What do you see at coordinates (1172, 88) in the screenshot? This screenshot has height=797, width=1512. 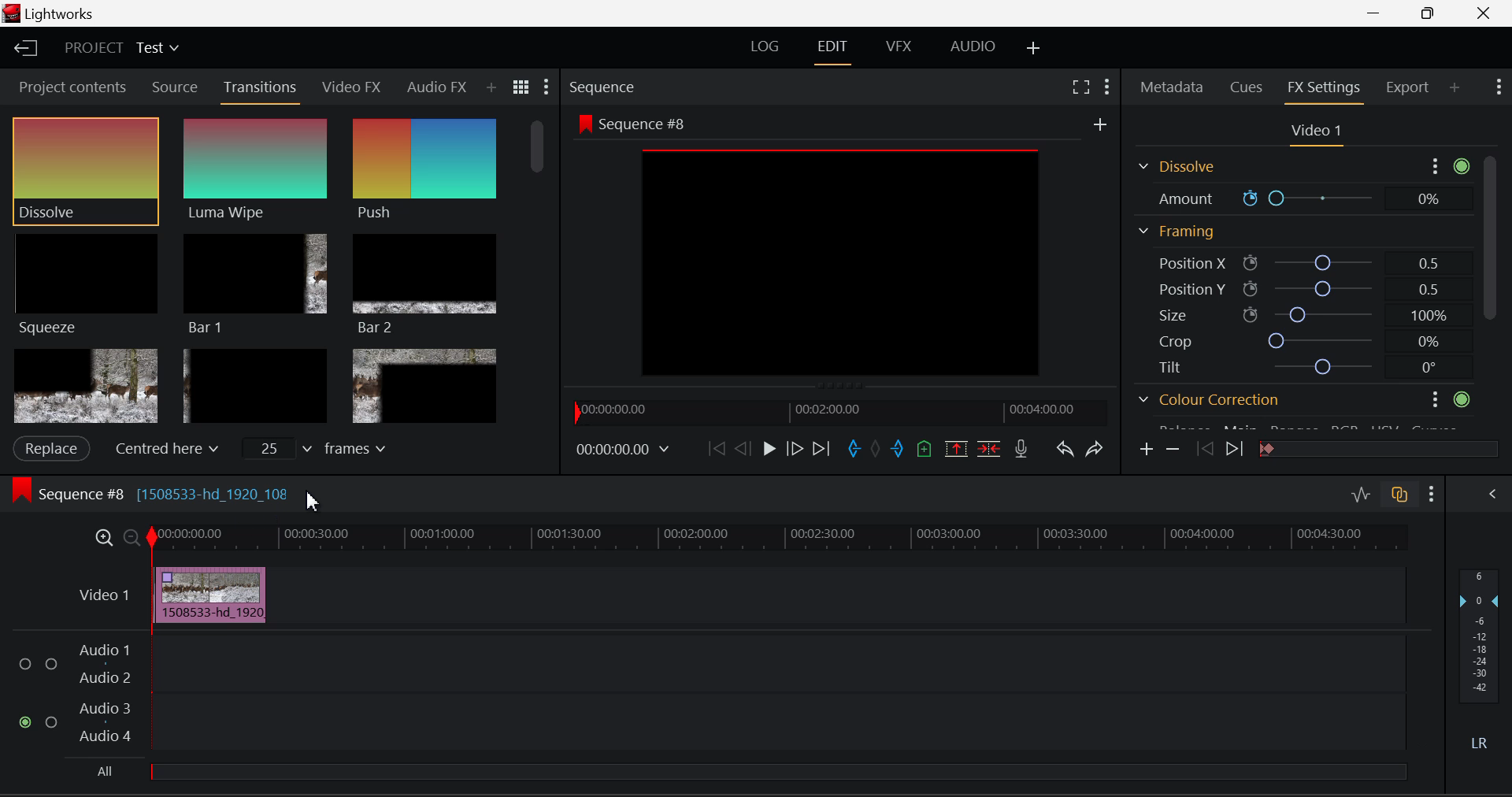 I see `Metadata` at bounding box center [1172, 88].